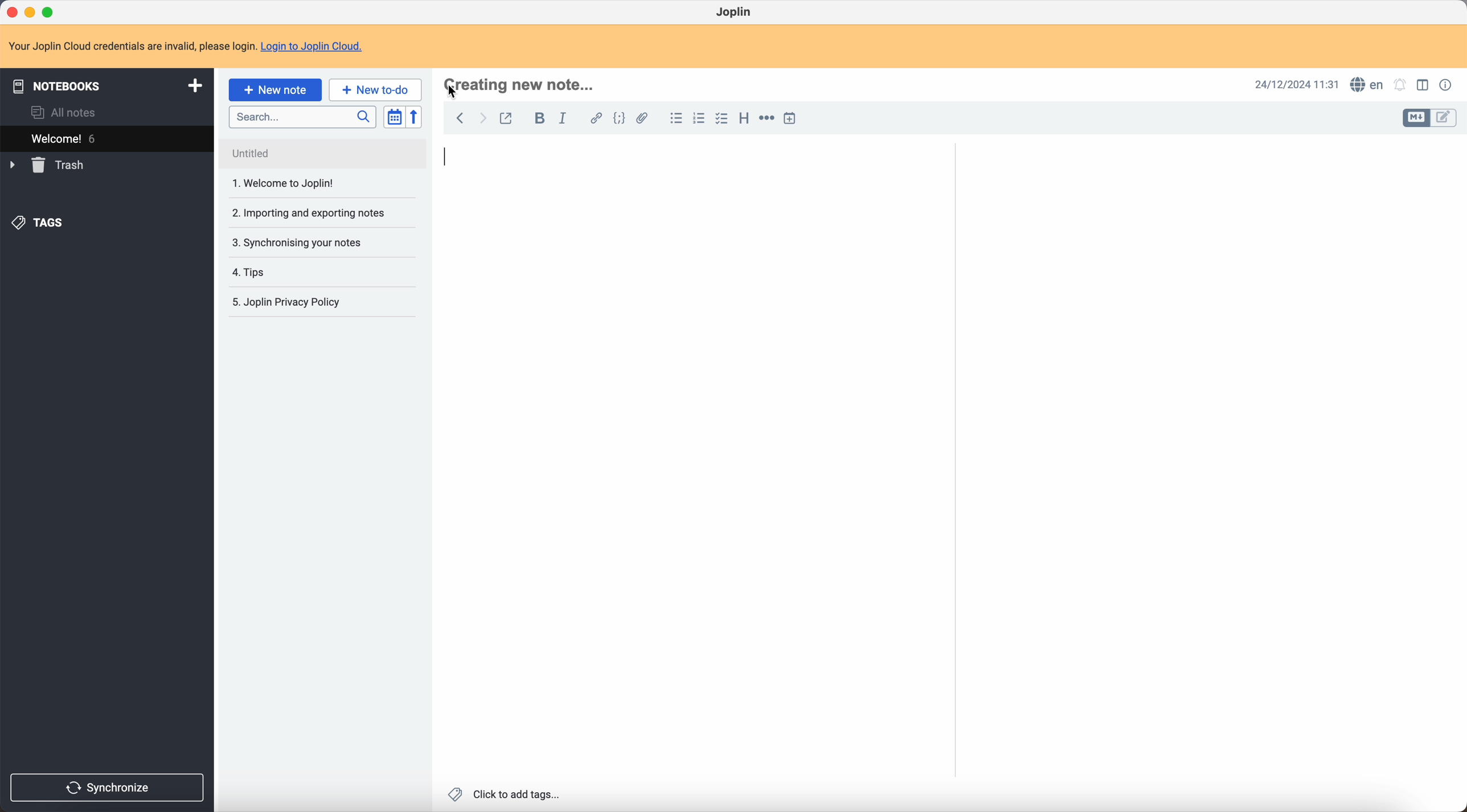 This screenshot has height=812, width=1467. I want to click on horizontal rule, so click(767, 118).